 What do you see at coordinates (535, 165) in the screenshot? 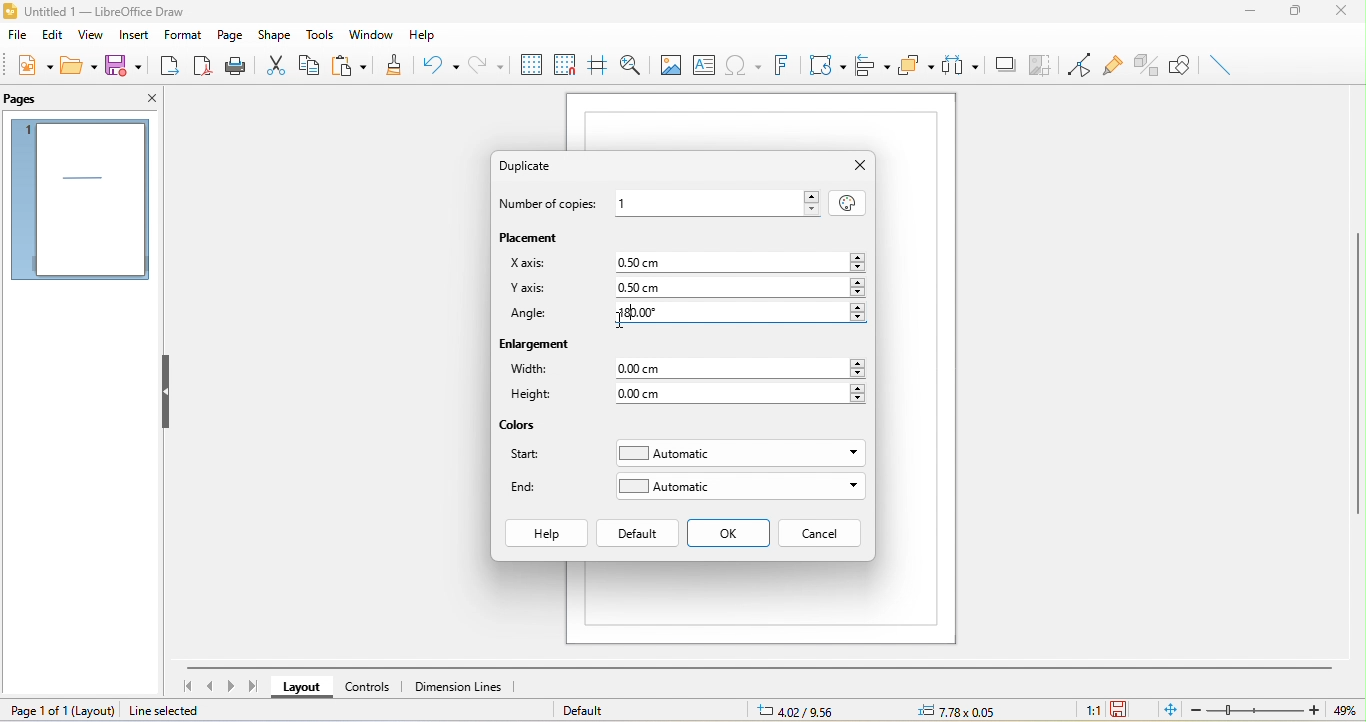
I see `duplicate` at bounding box center [535, 165].